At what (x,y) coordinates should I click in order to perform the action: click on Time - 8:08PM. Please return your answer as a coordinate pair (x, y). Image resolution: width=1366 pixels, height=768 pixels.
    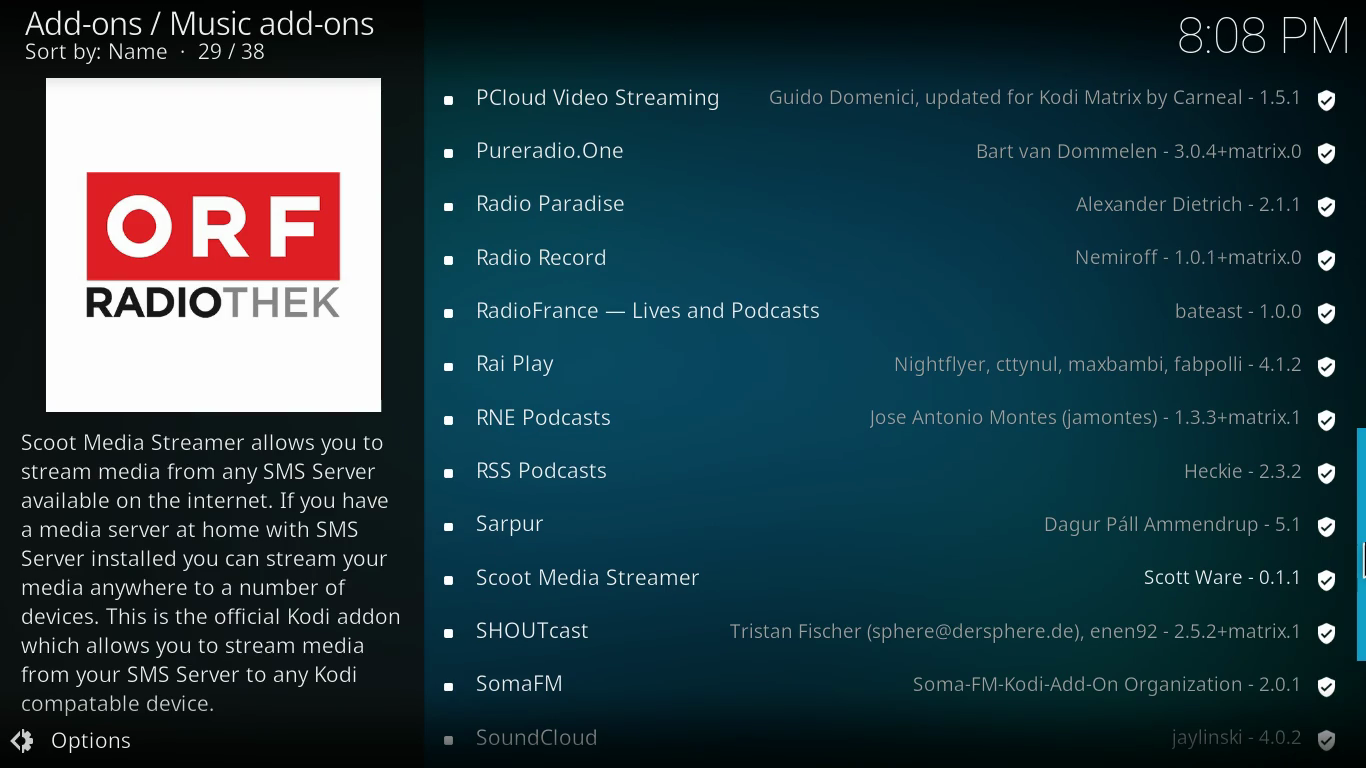
    Looking at the image, I should click on (1260, 35).